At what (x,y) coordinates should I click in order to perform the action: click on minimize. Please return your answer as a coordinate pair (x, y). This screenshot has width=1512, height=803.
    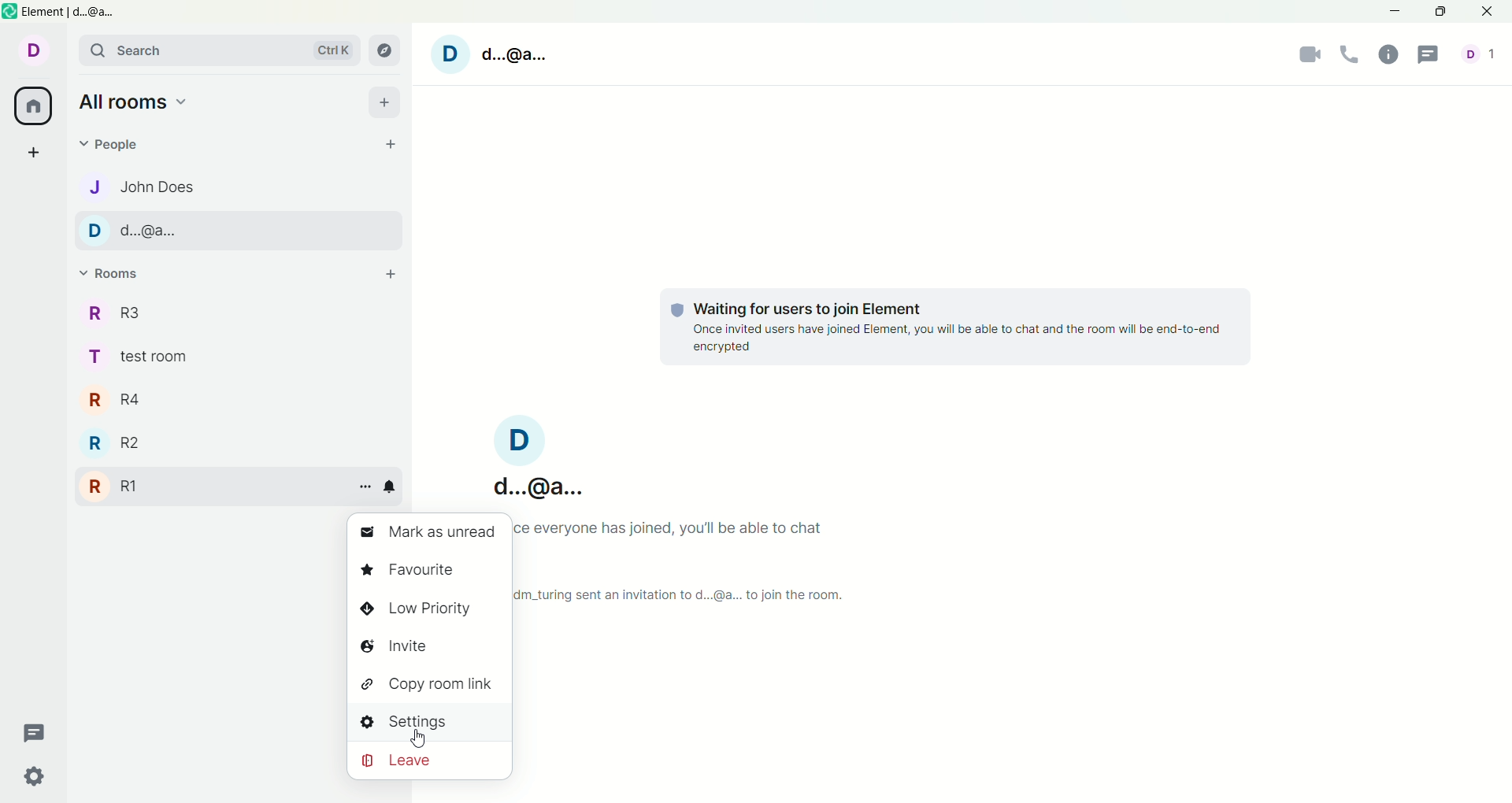
    Looking at the image, I should click on (1393, 12).